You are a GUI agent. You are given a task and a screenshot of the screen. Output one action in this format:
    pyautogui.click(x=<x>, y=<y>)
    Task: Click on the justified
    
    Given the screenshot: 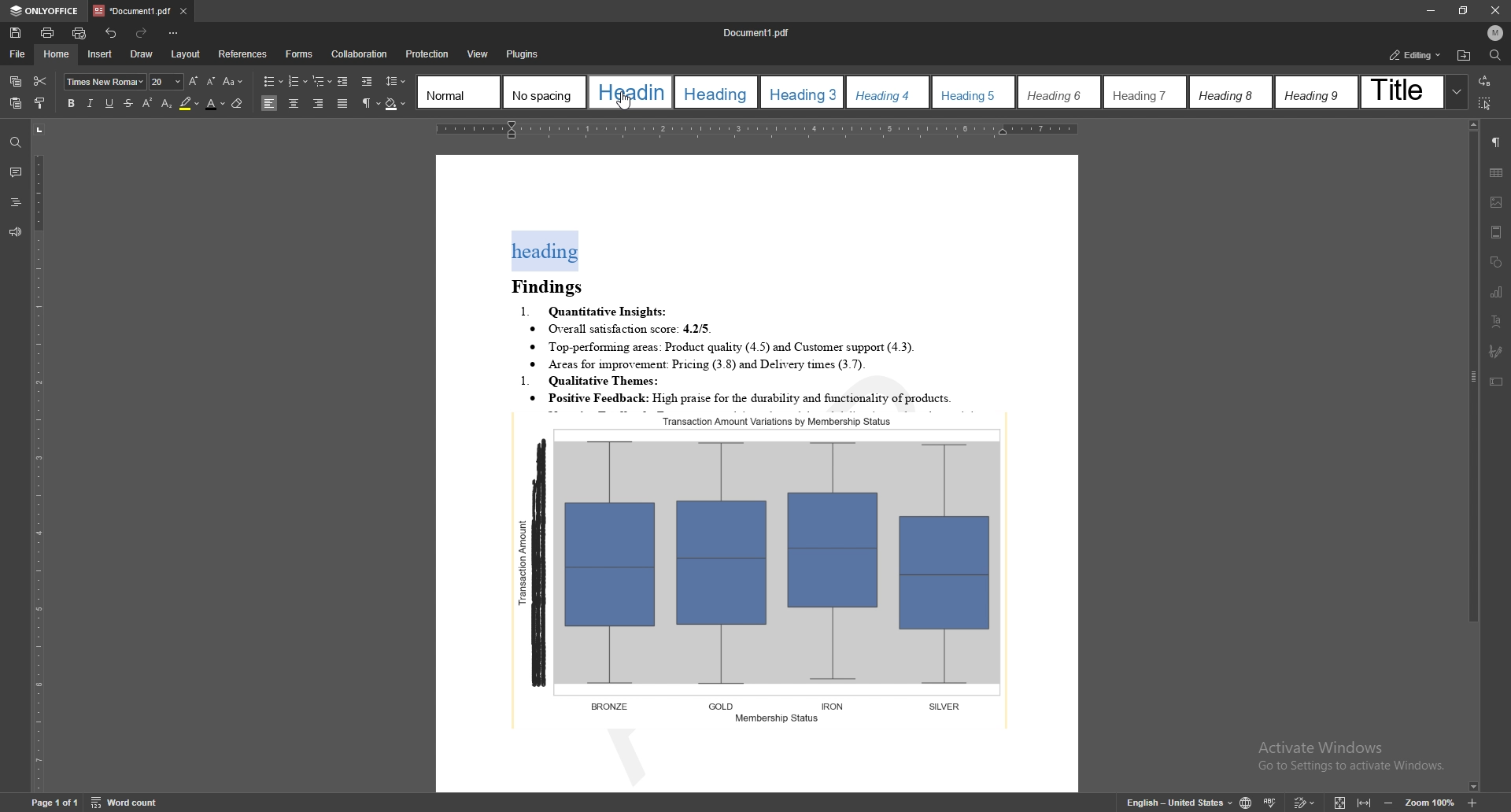 What is the action you would take?
    pyautogui.click(x=343, y=104)
    